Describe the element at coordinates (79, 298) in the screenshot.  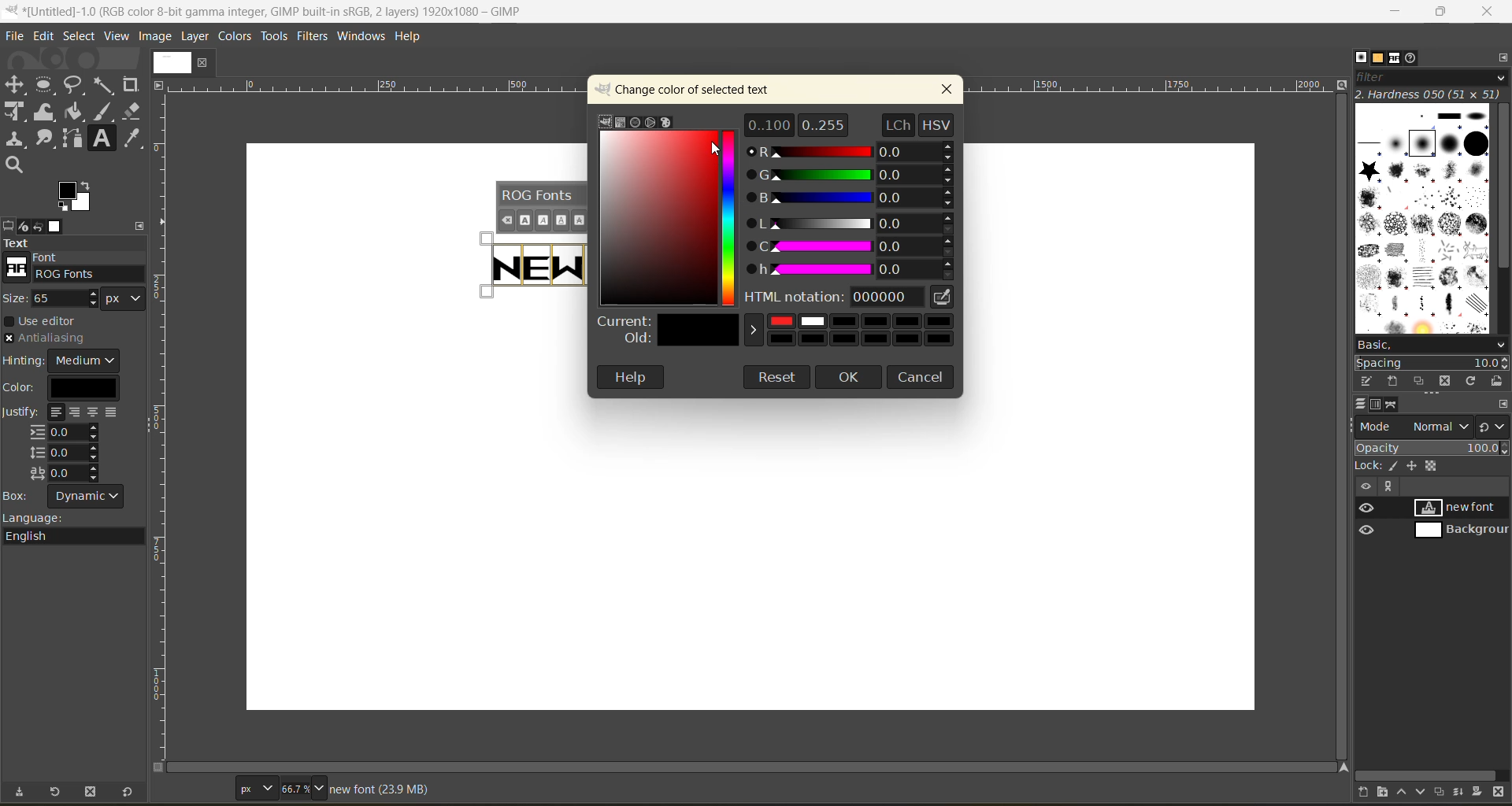
I see `size` at that location.